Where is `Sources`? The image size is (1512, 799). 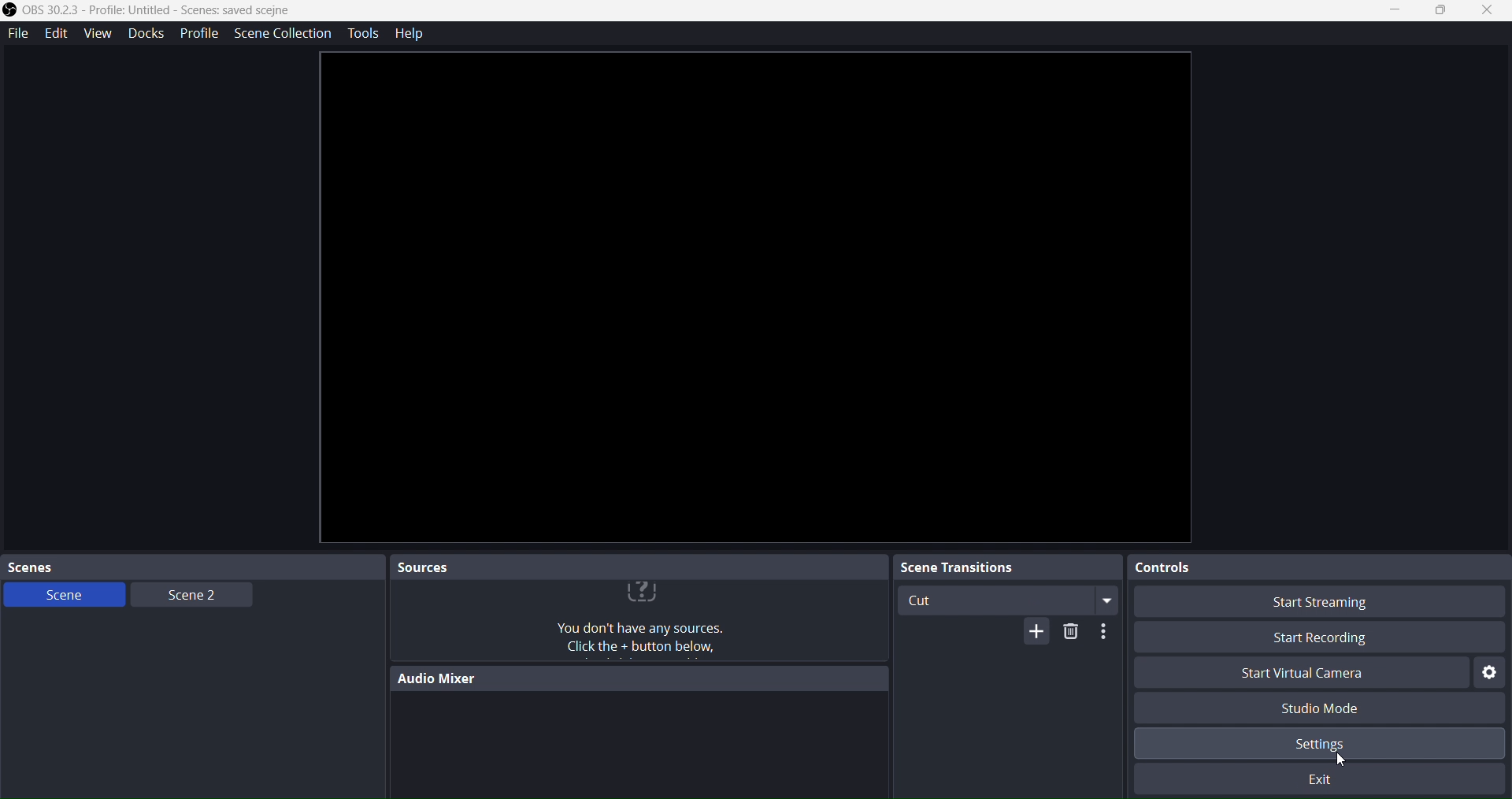 Sources is located at coordinates (634, 566).